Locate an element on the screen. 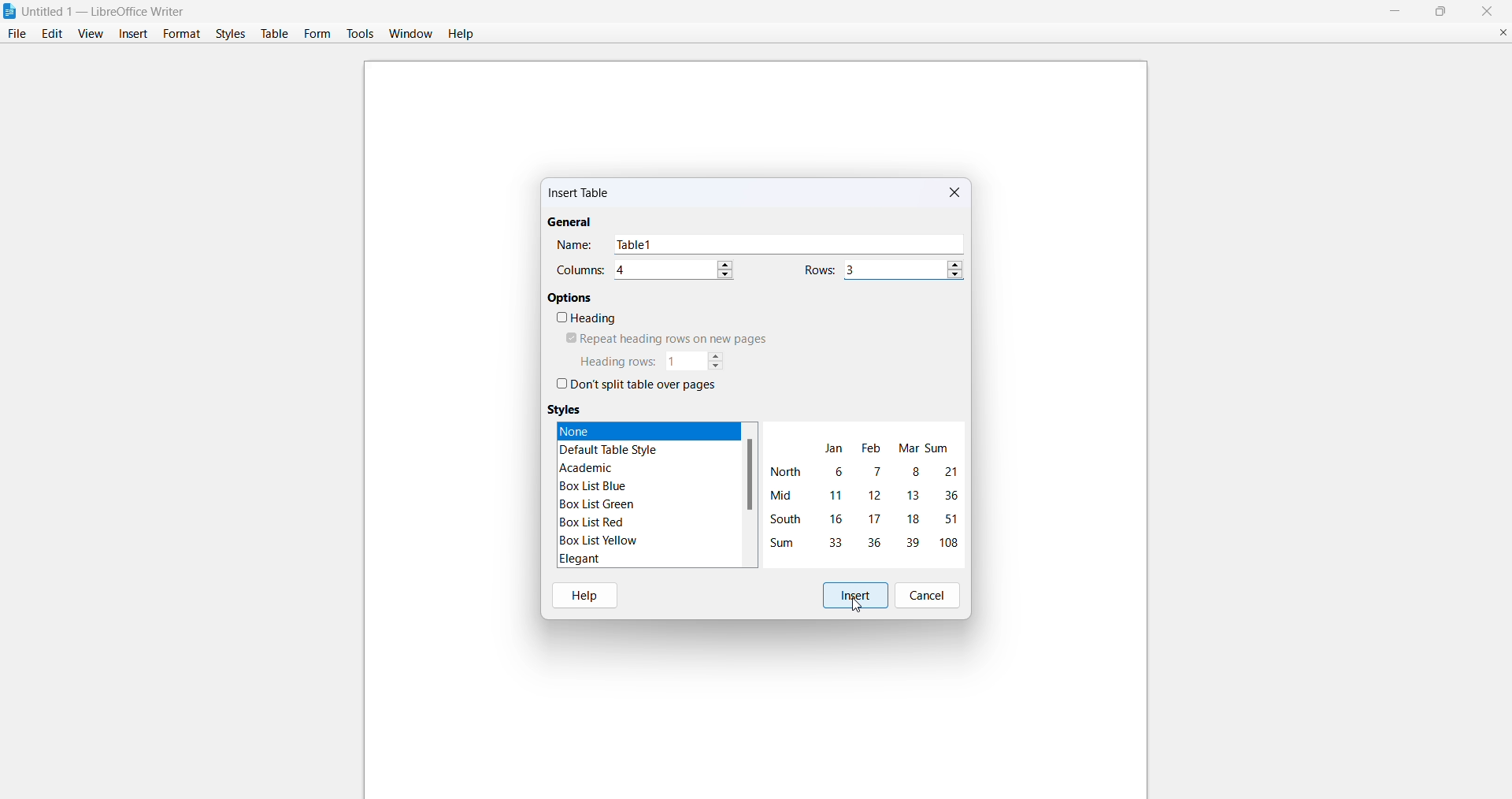  box list red is located at coordinates (592, 522).